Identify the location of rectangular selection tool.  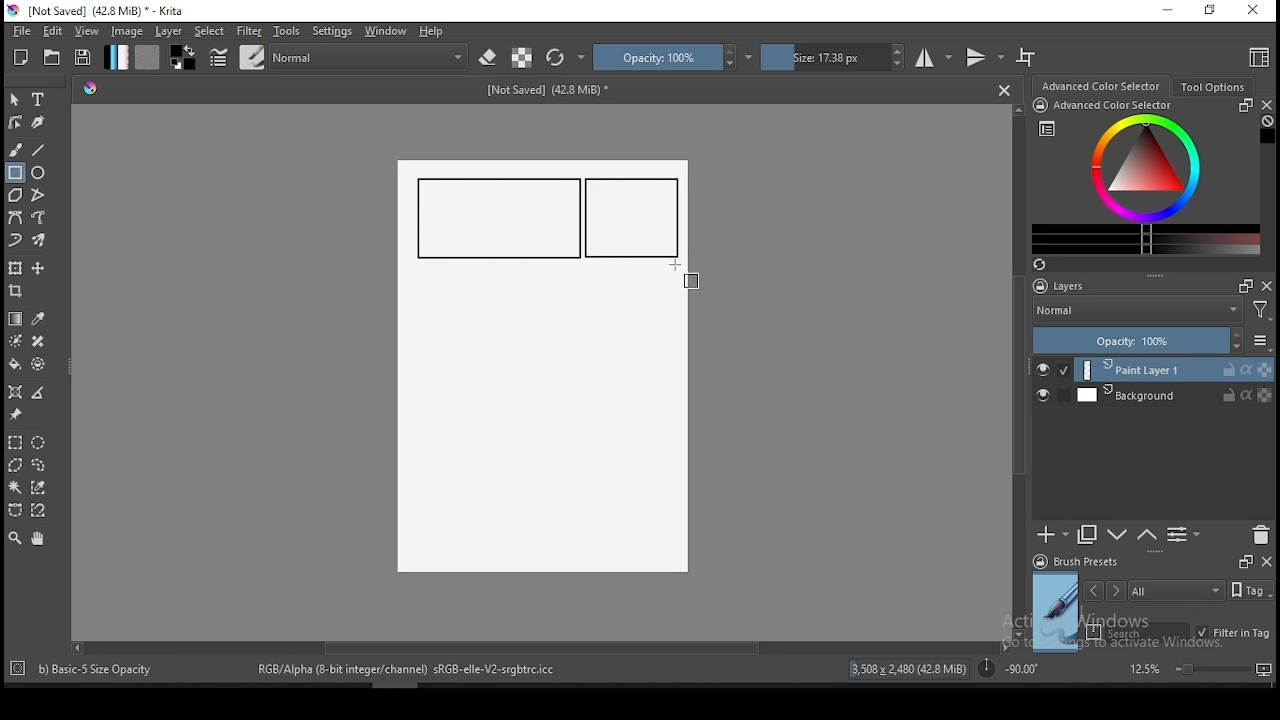
(14, 442).